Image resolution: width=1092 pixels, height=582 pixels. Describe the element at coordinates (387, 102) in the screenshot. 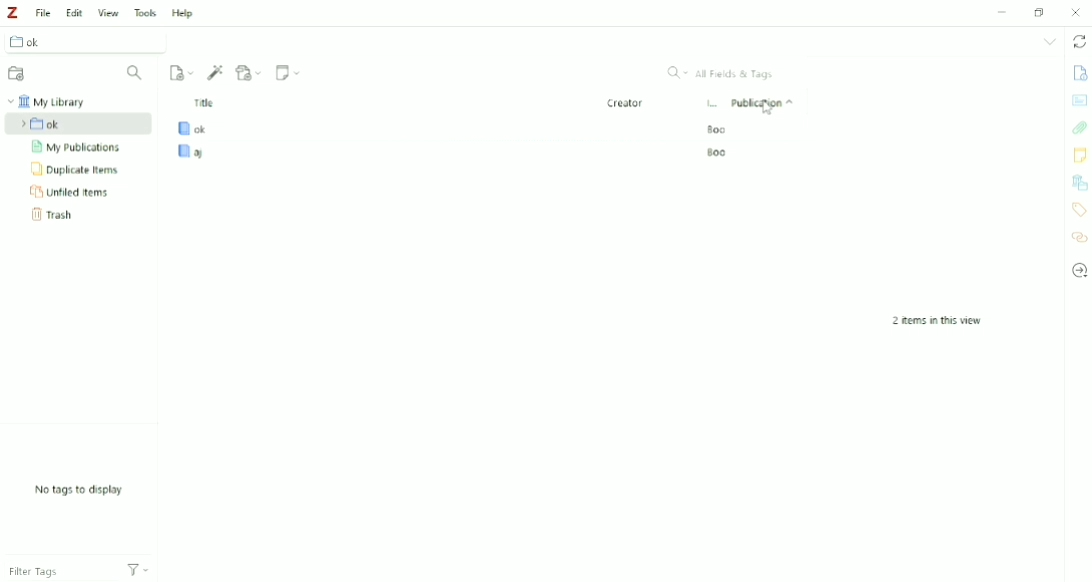

I see `Title` at that location.